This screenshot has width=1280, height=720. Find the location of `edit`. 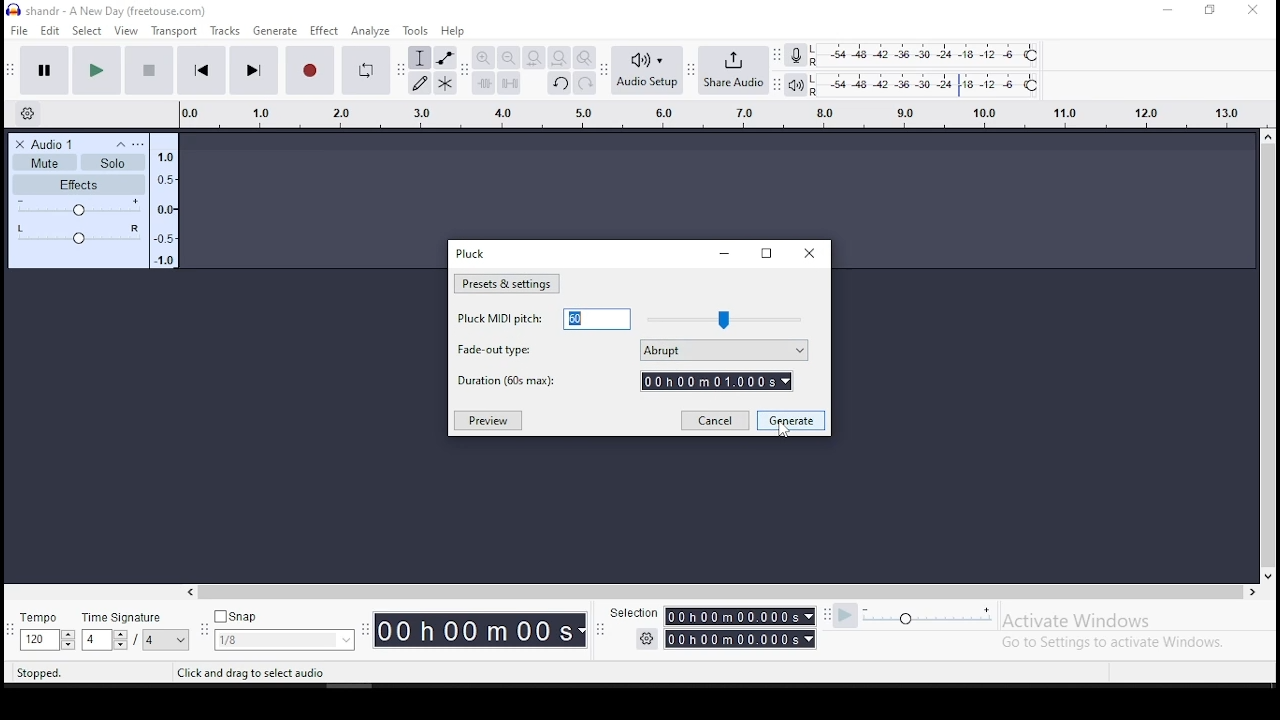

edit is located at coordinates (52, 31).